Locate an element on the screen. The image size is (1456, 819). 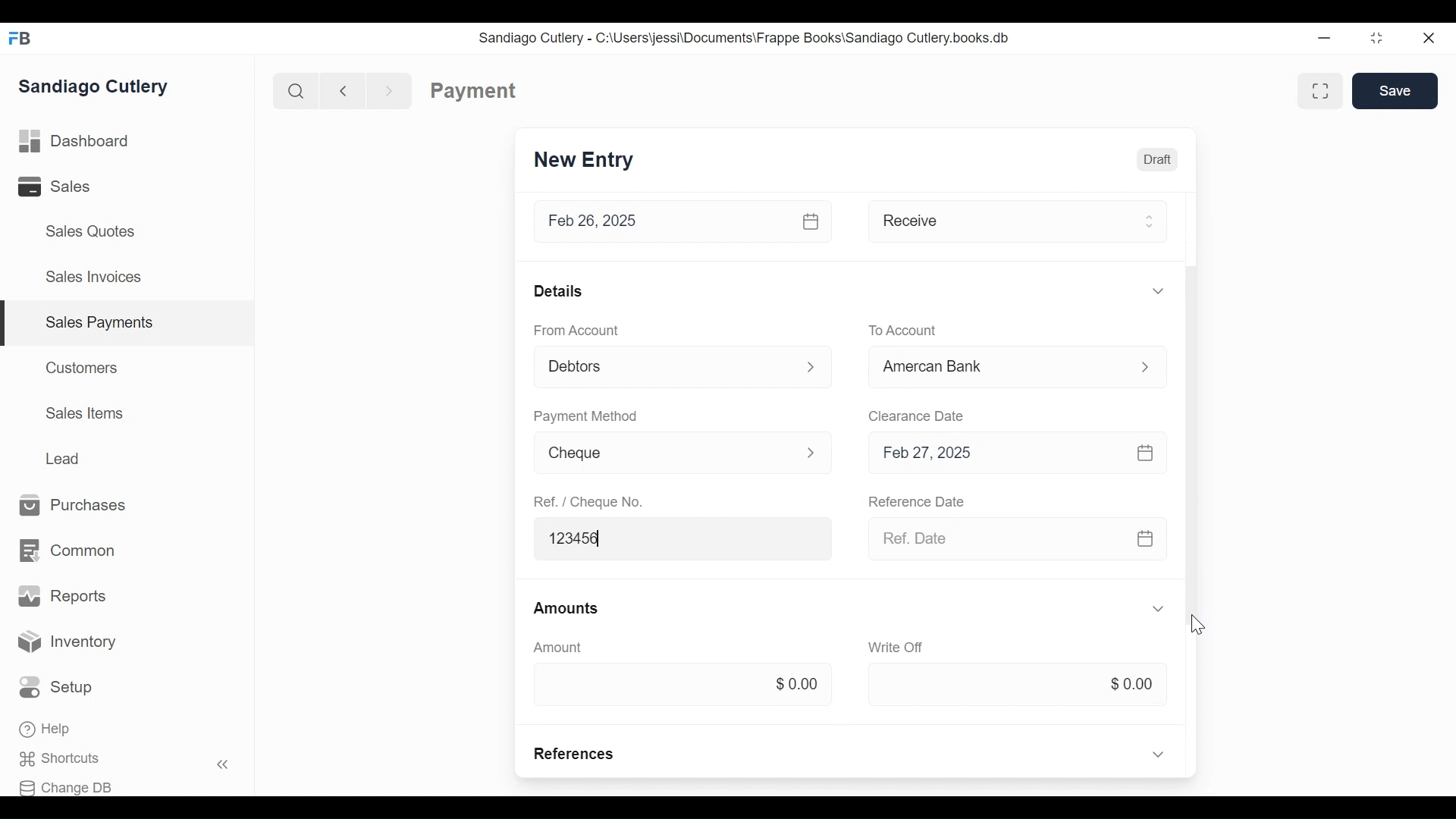
$0.00 is located at coordinates (1017, 685).